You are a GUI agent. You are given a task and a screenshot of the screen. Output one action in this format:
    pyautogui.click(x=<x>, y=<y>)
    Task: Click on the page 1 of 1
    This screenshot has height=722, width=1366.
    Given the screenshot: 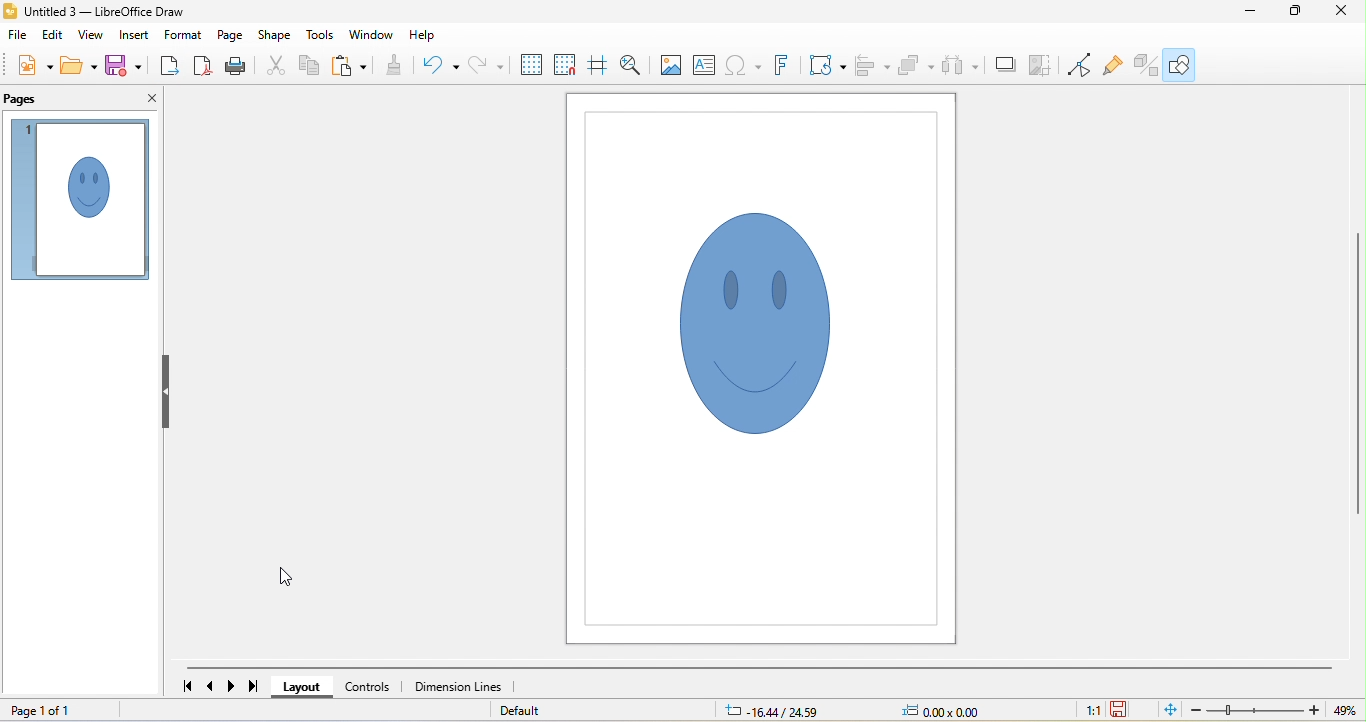 What is the action you would take?
    pyautogui.click(x=42, y=711)
    